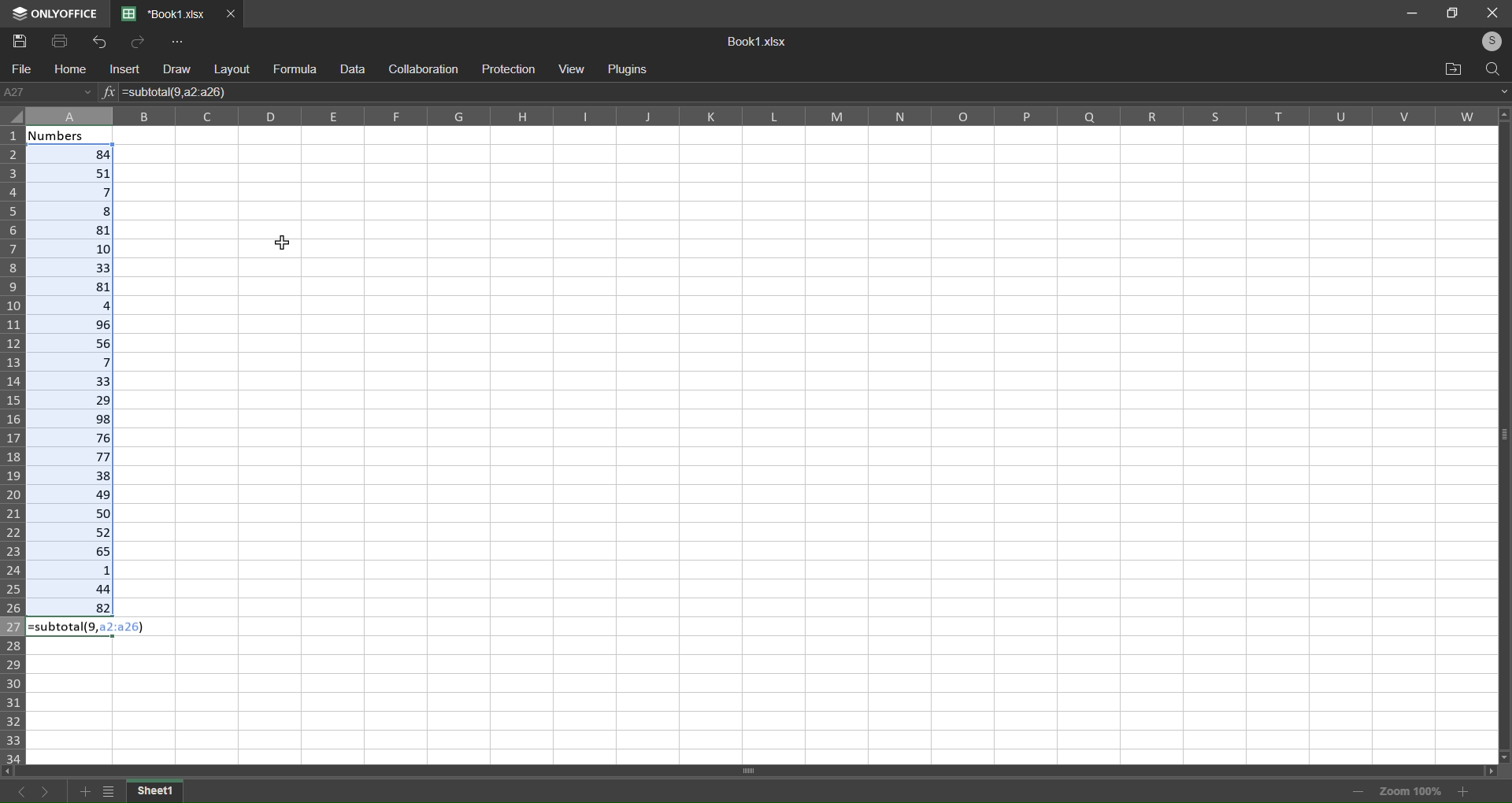 The image size is (1512, 803). Describe the element at coordinates (1410, 790) in the screenshot. I see `Zoom 100%` at that location.